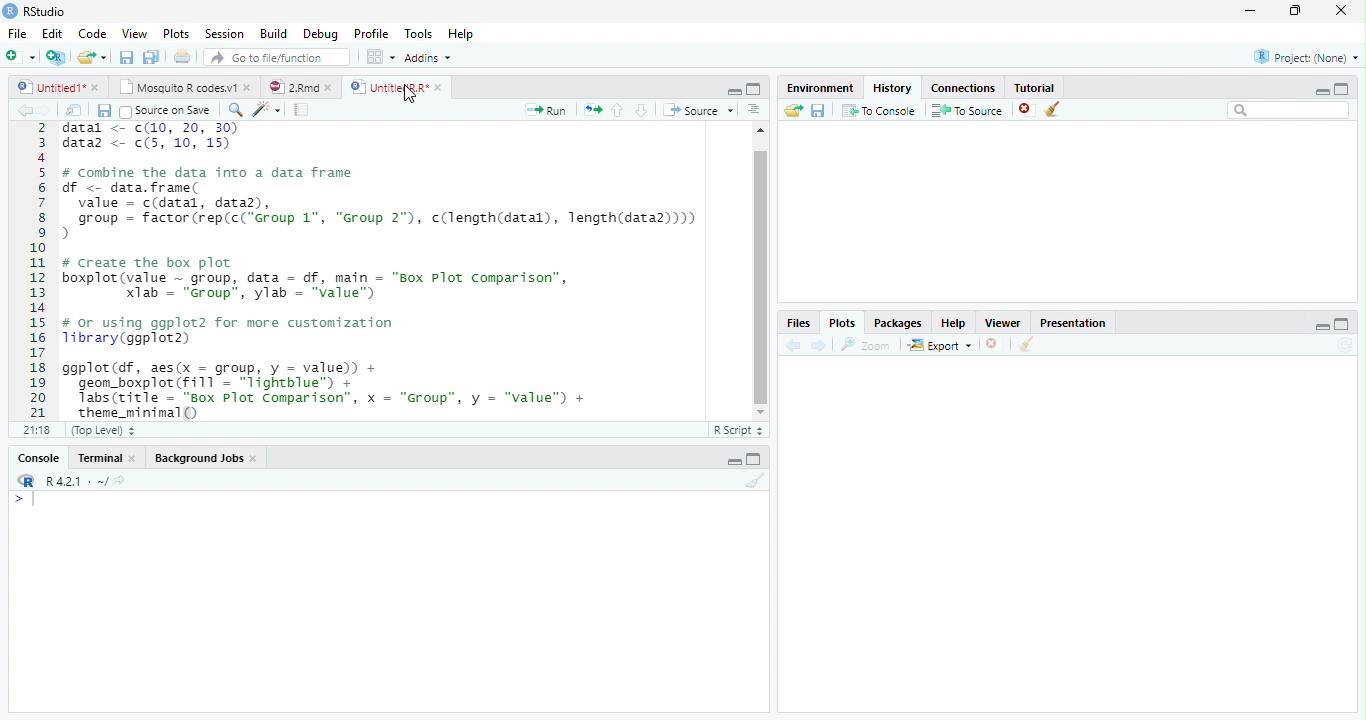  I want to click on Save current document, so click(126, 56).